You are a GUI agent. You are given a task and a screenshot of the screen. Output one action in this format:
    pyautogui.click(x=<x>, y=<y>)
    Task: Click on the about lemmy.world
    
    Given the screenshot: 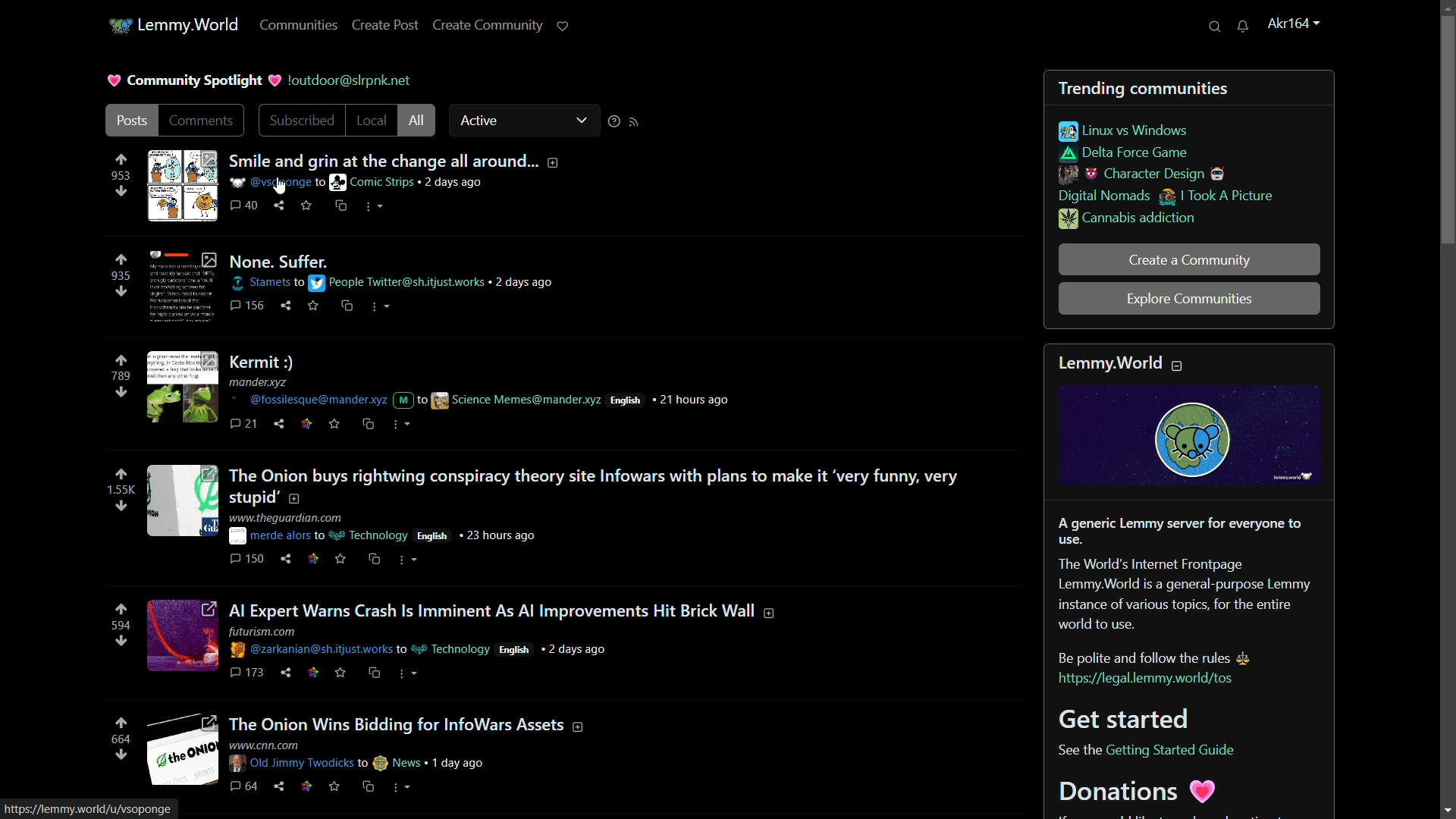 What is the action you would take?
    pyautogui.click(x=1194, y=588)
    